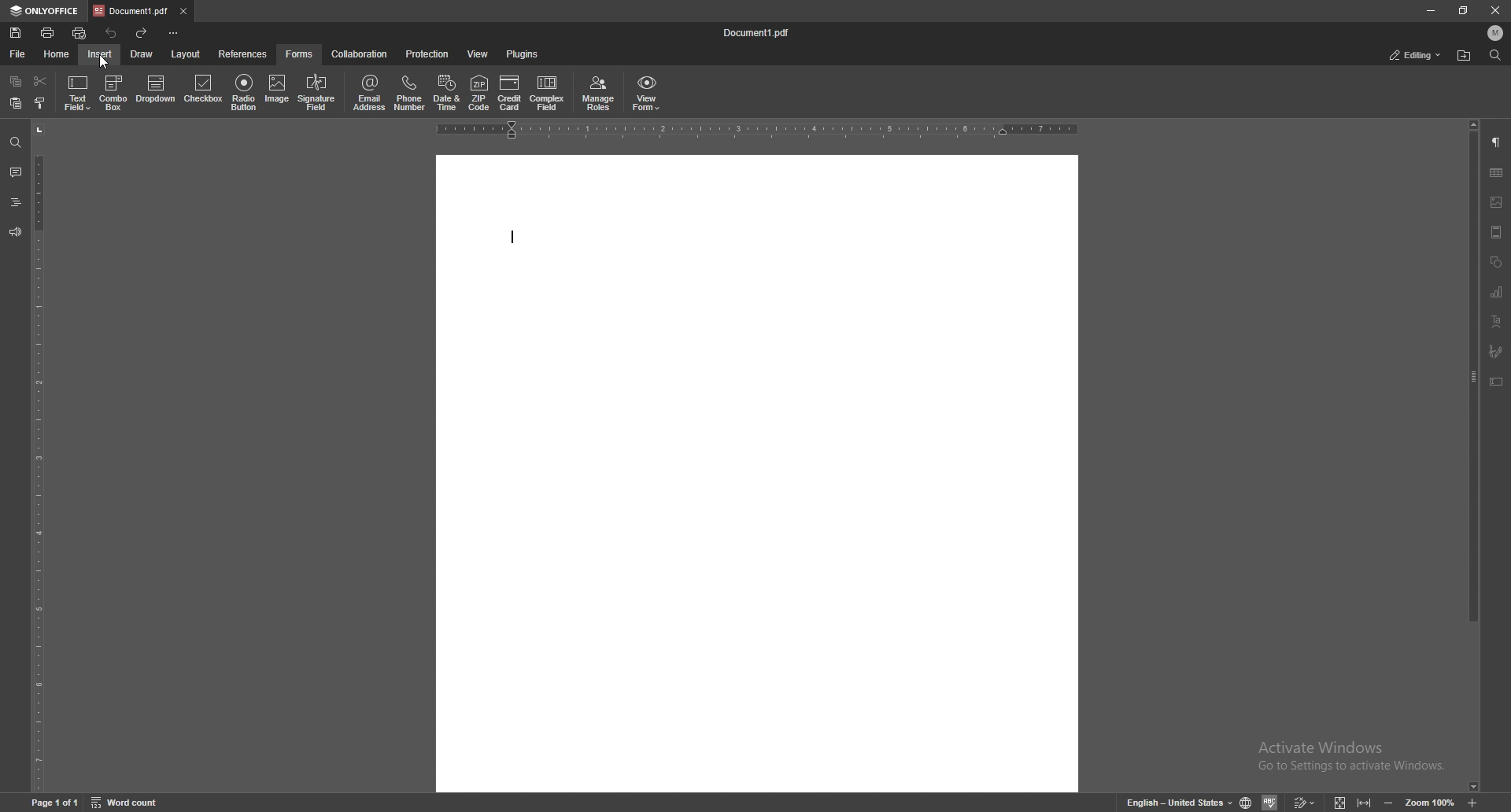 The image size is (1511, 812). What do you see at coordinates (1496, 172) in the screenshot?
I see `tables` at bounding box center [1496, 172].